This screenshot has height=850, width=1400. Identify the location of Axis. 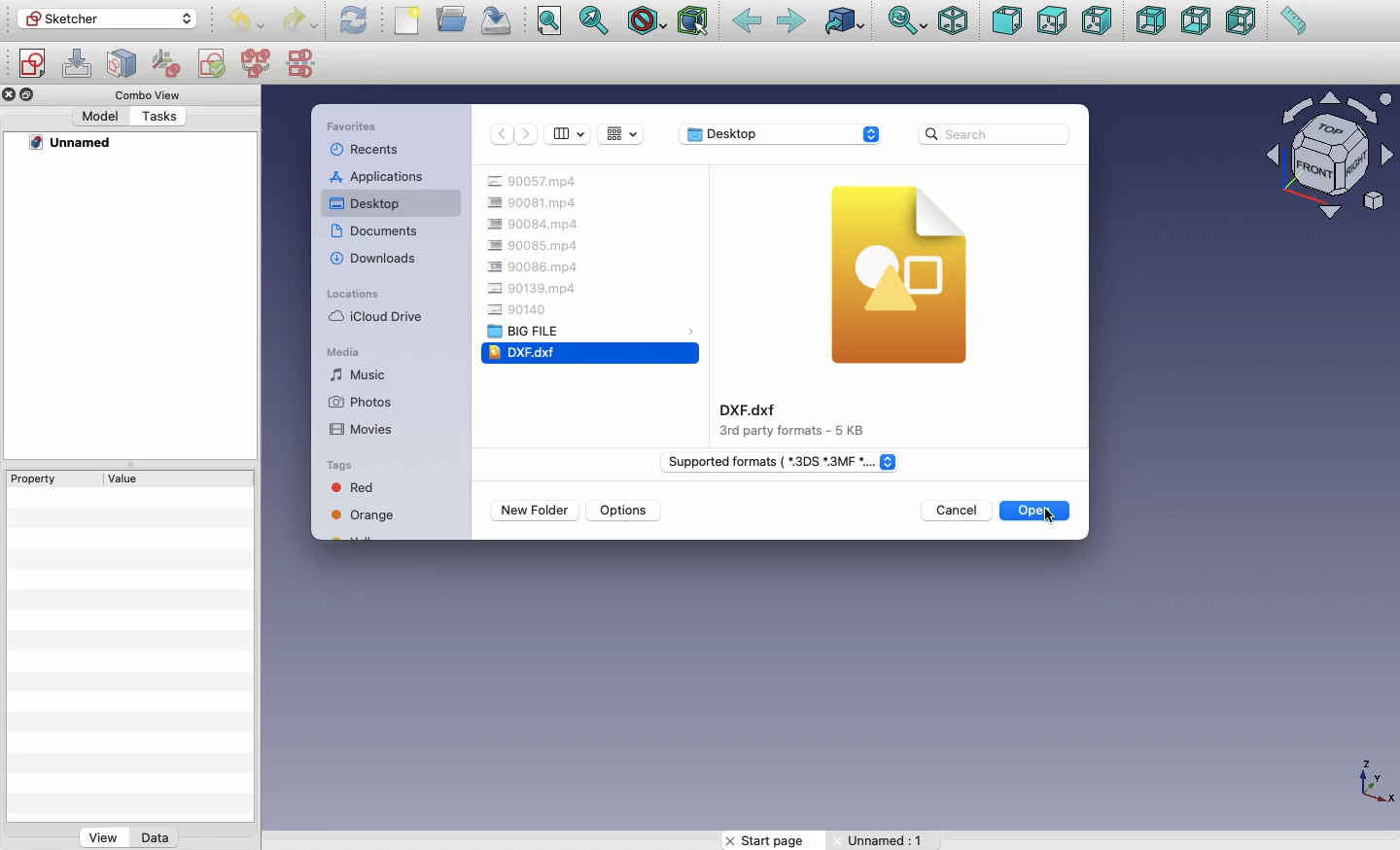
(1376, 785).